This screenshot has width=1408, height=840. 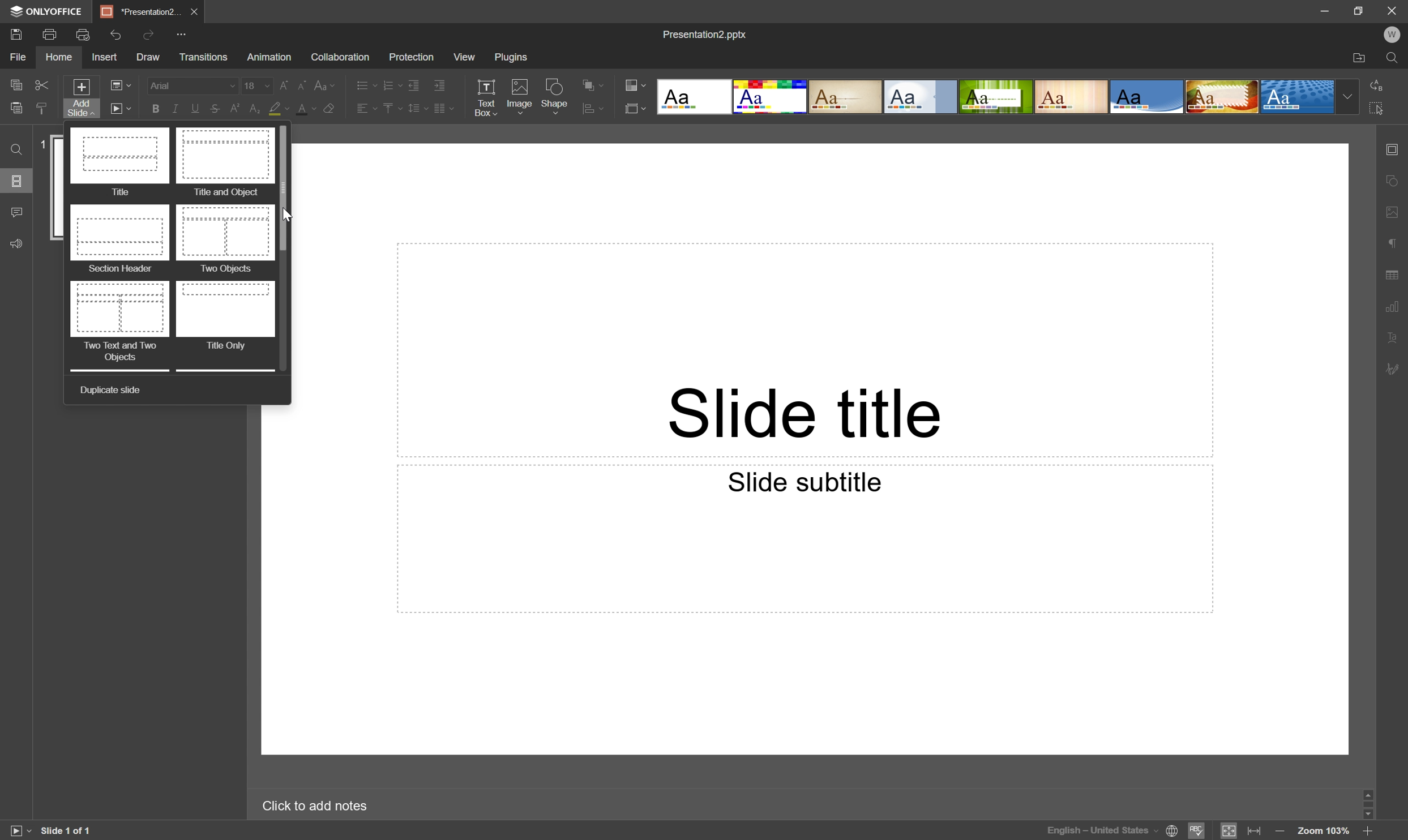 What do you see at coordinates (184, 33) in the screenshot?
I see `Customize quick access toolbar` at bounding box center [184, 33].